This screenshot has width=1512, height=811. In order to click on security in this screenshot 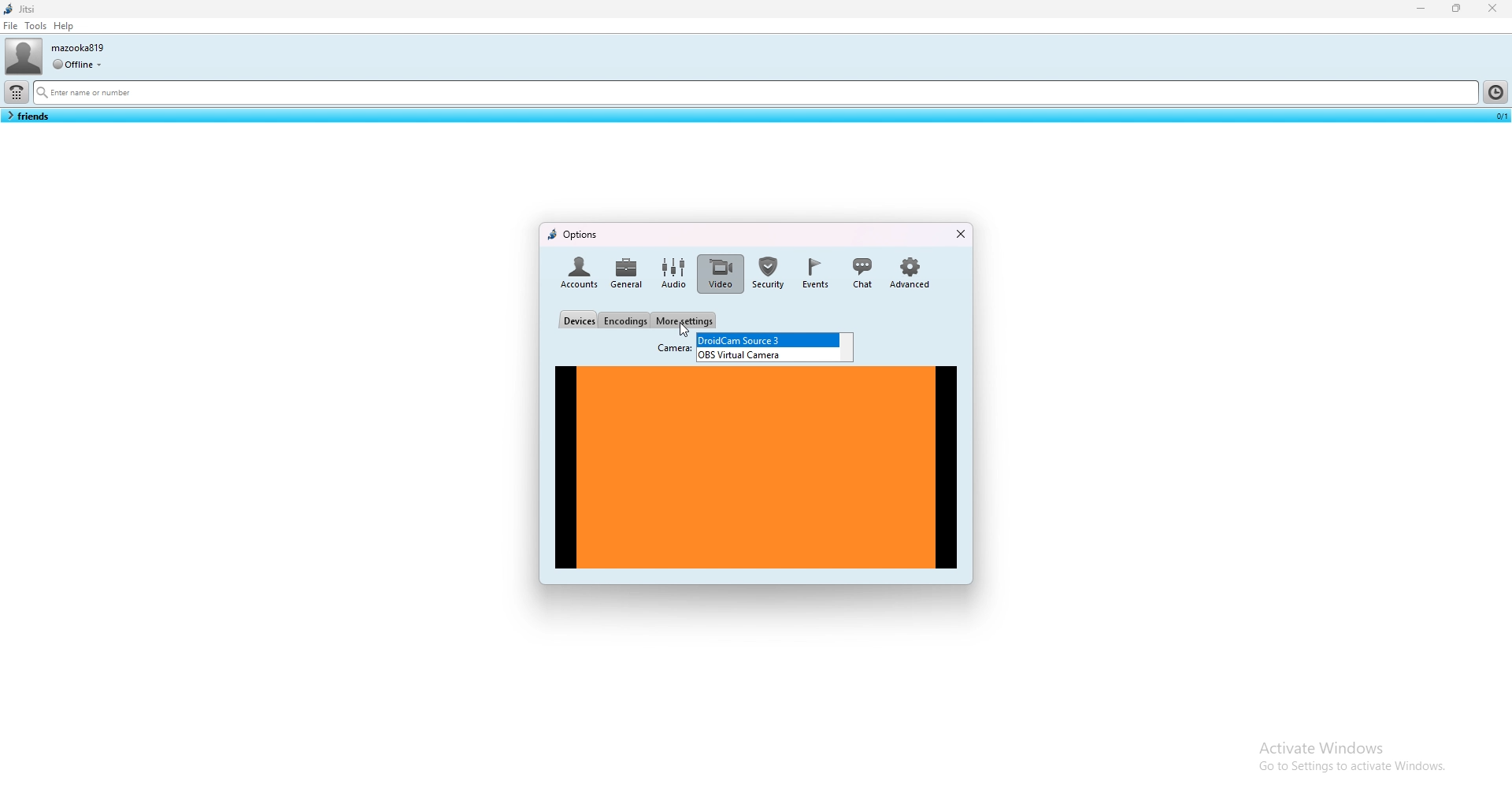, I will do `click(770, 274)`.